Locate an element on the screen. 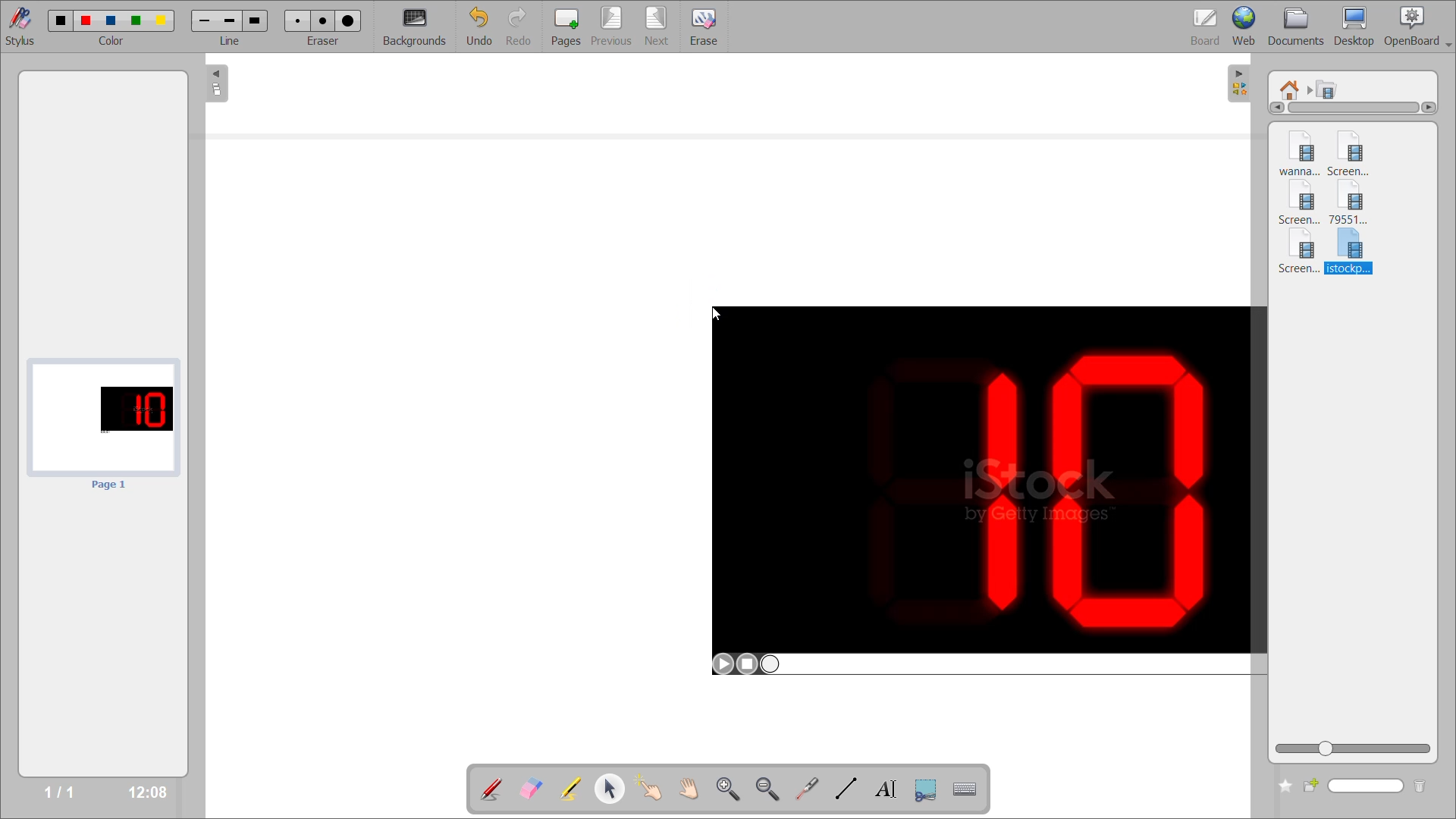 The image size is (1456, 819). delete is located at coordinates (1420, 787).